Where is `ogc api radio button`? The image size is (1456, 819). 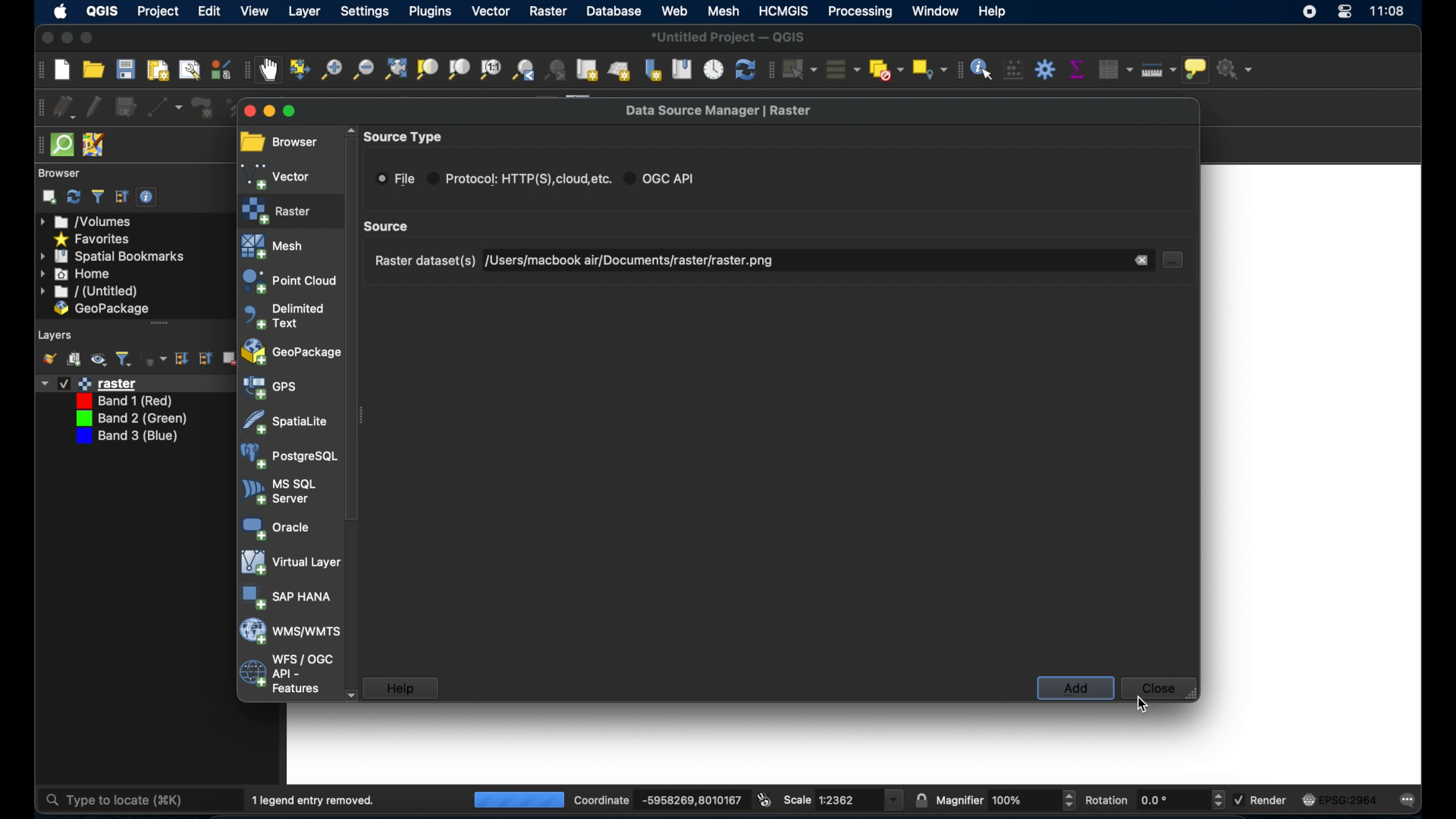 ogc api radio button is located at coordinates (663, 178).